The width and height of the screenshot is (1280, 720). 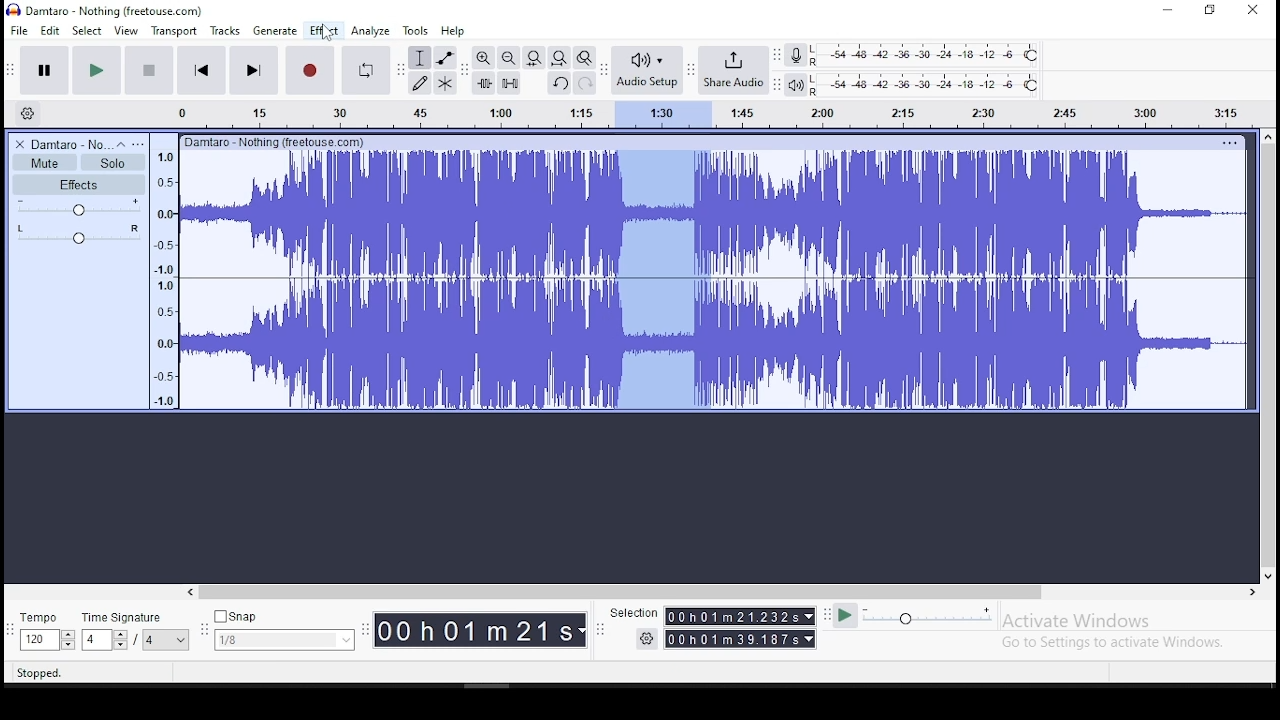 I want to click on record meter, so click(x=796, y=54).